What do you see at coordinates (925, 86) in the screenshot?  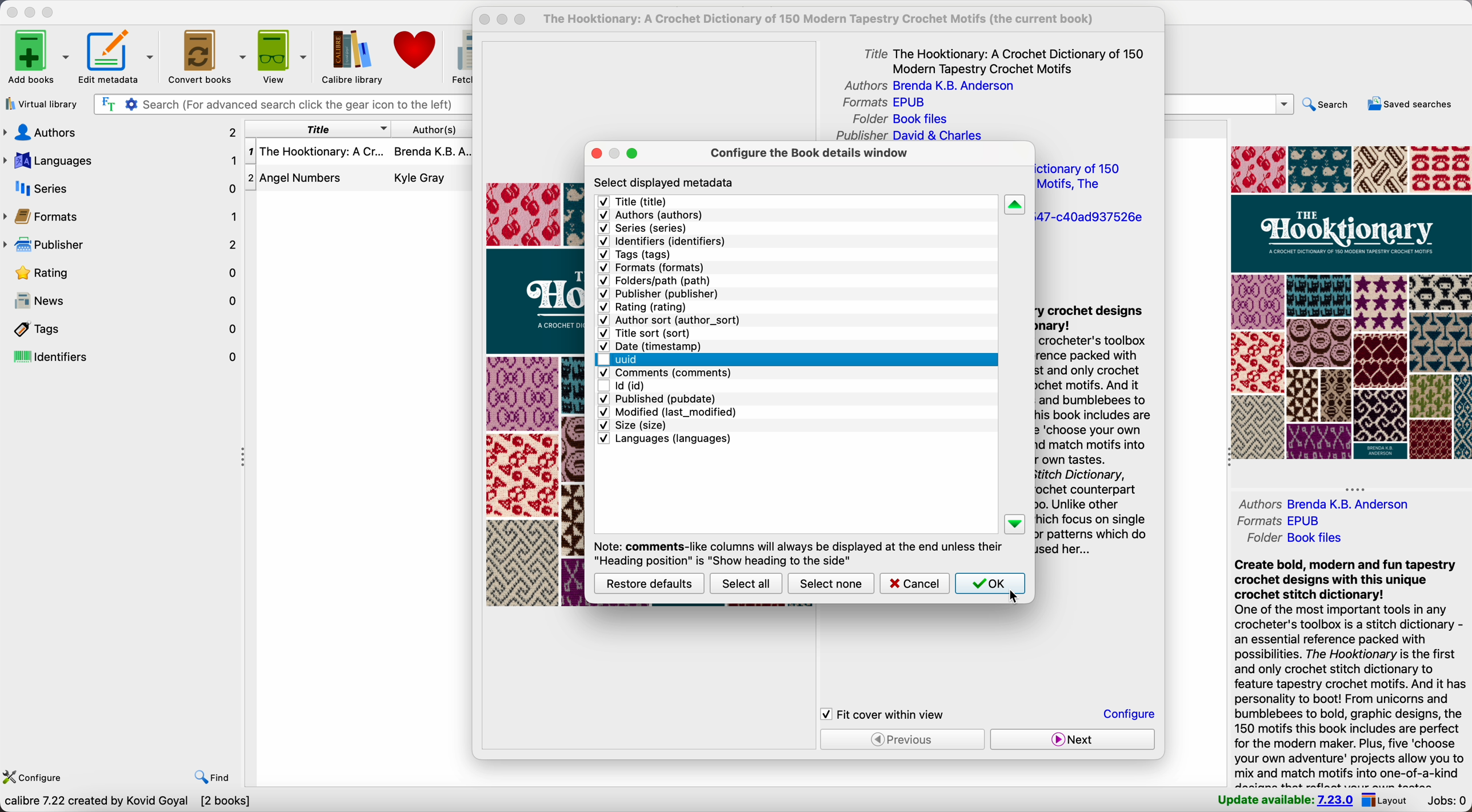 I see `authors` at bounding box center [925, 86].